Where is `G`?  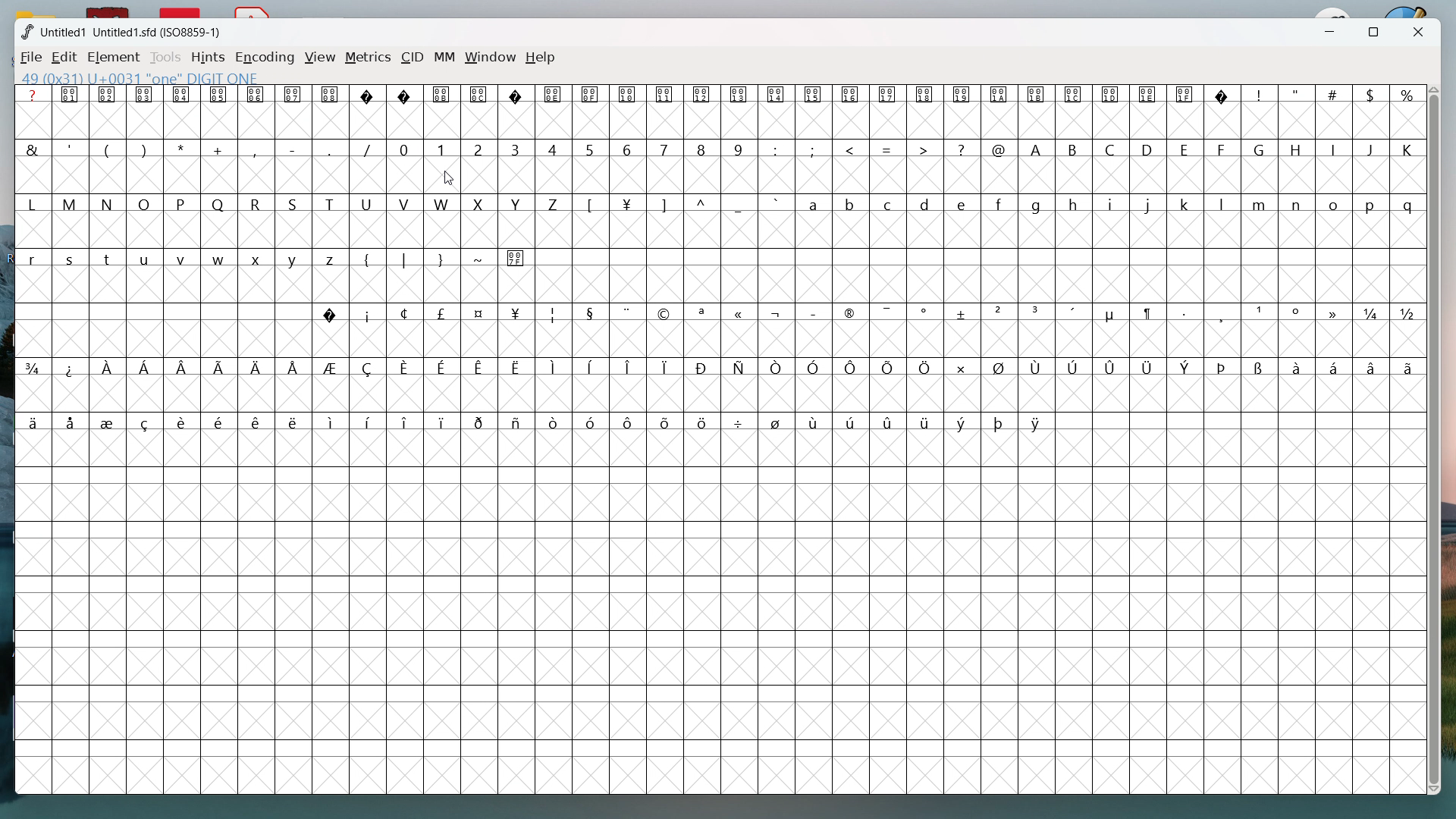
G is located at coordinates (1262, 149).